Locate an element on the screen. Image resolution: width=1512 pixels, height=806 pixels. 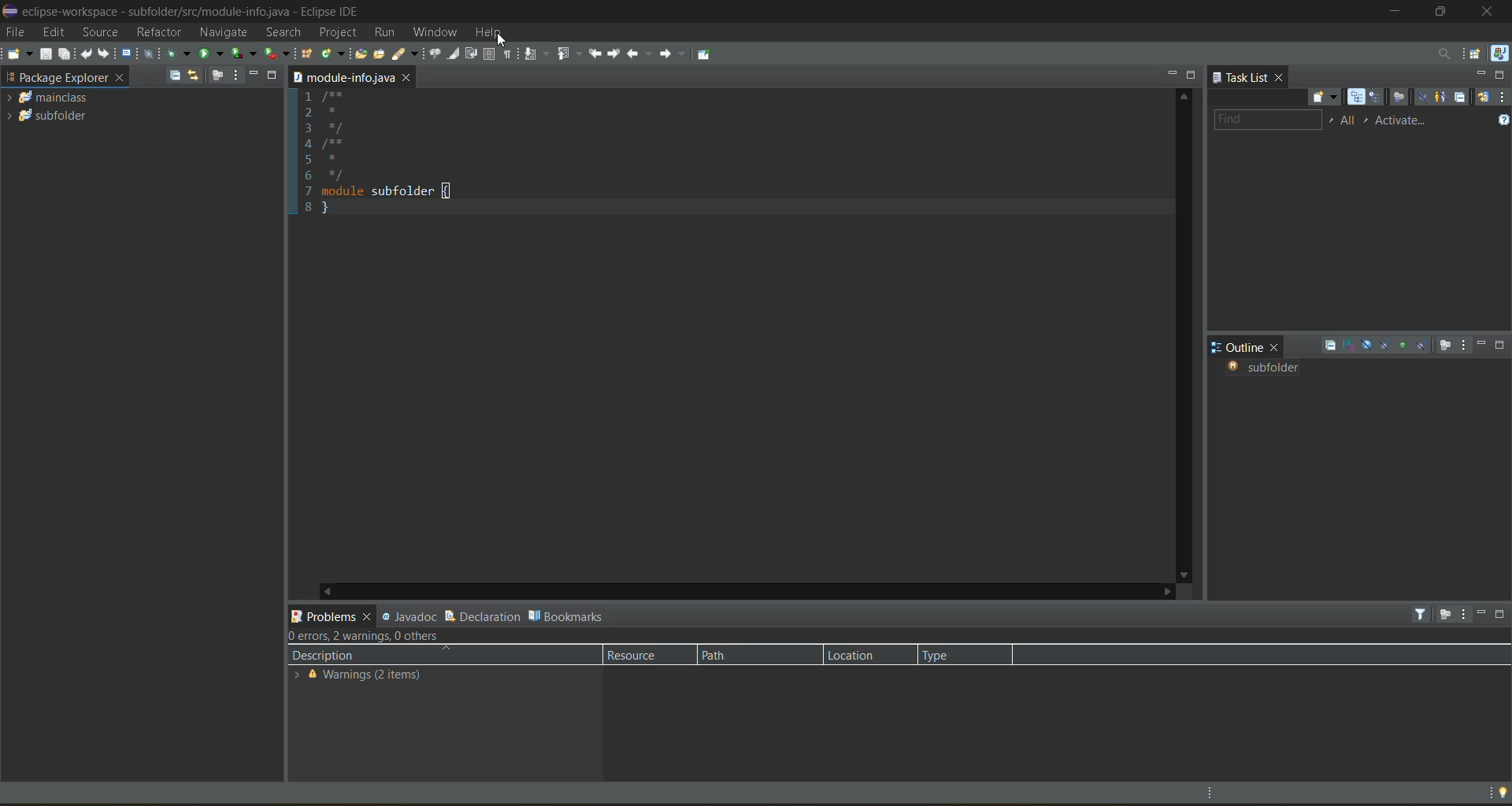
collapse all is located at coordinates (176, 77).